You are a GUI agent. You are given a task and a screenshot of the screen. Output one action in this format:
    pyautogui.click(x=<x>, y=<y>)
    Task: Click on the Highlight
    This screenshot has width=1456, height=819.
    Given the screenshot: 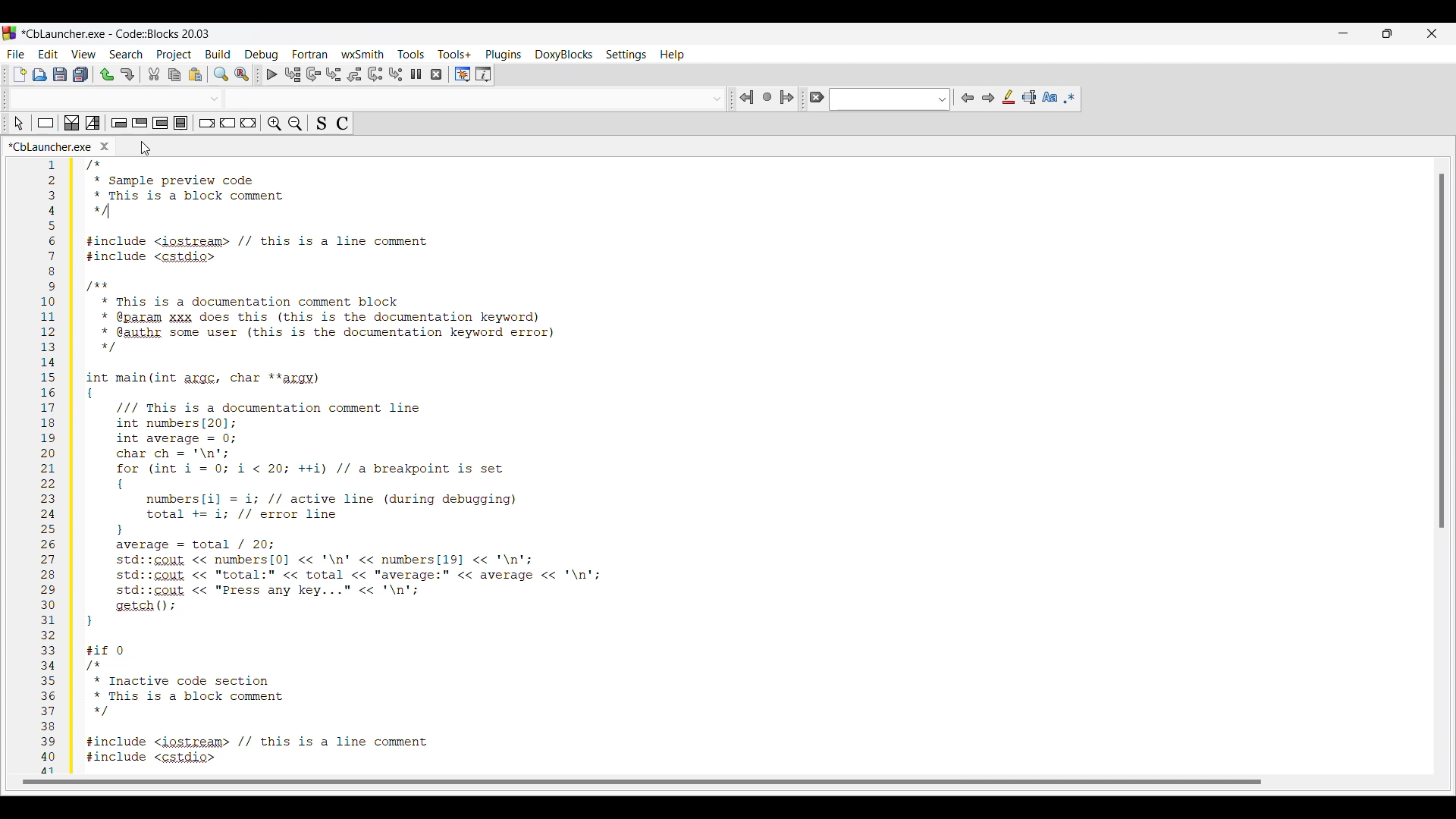 What is the action you would take?
    pyautogui.click(x=1009, y=97)
    